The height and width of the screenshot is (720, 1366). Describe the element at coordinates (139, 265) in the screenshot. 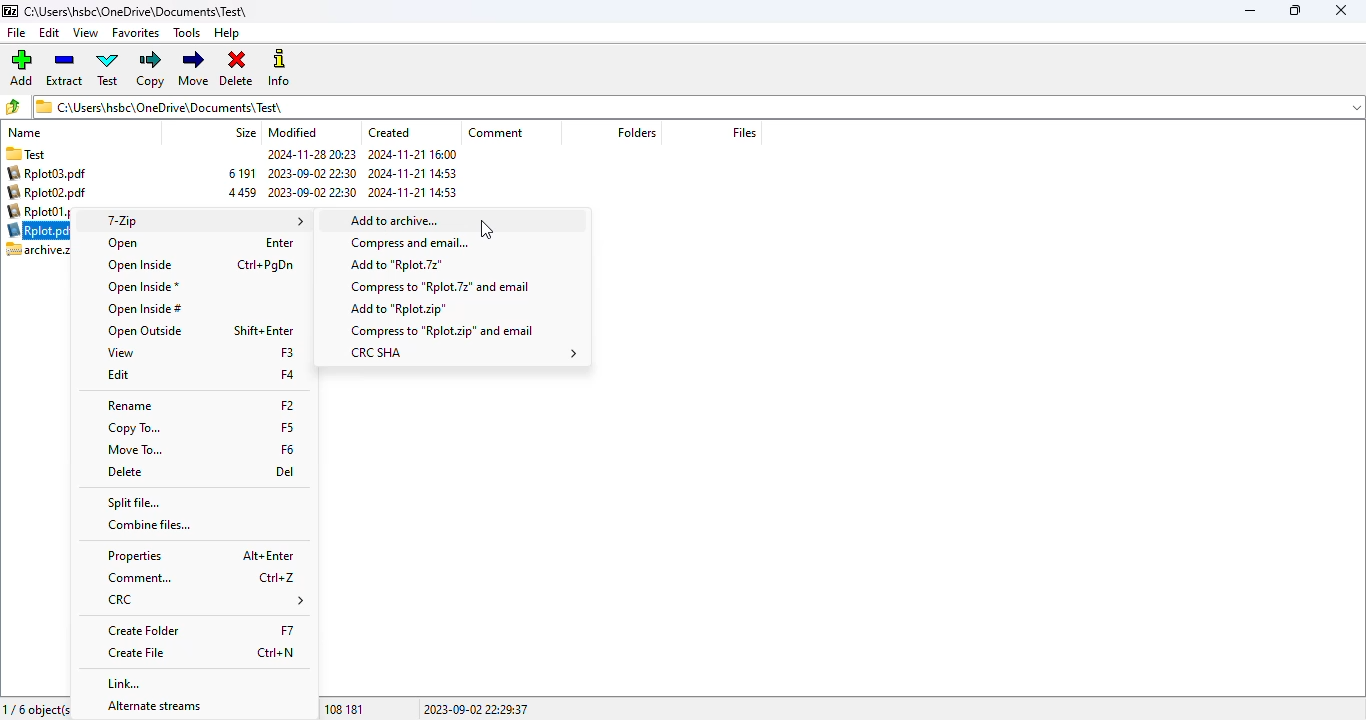

I see `open inside` at that location.